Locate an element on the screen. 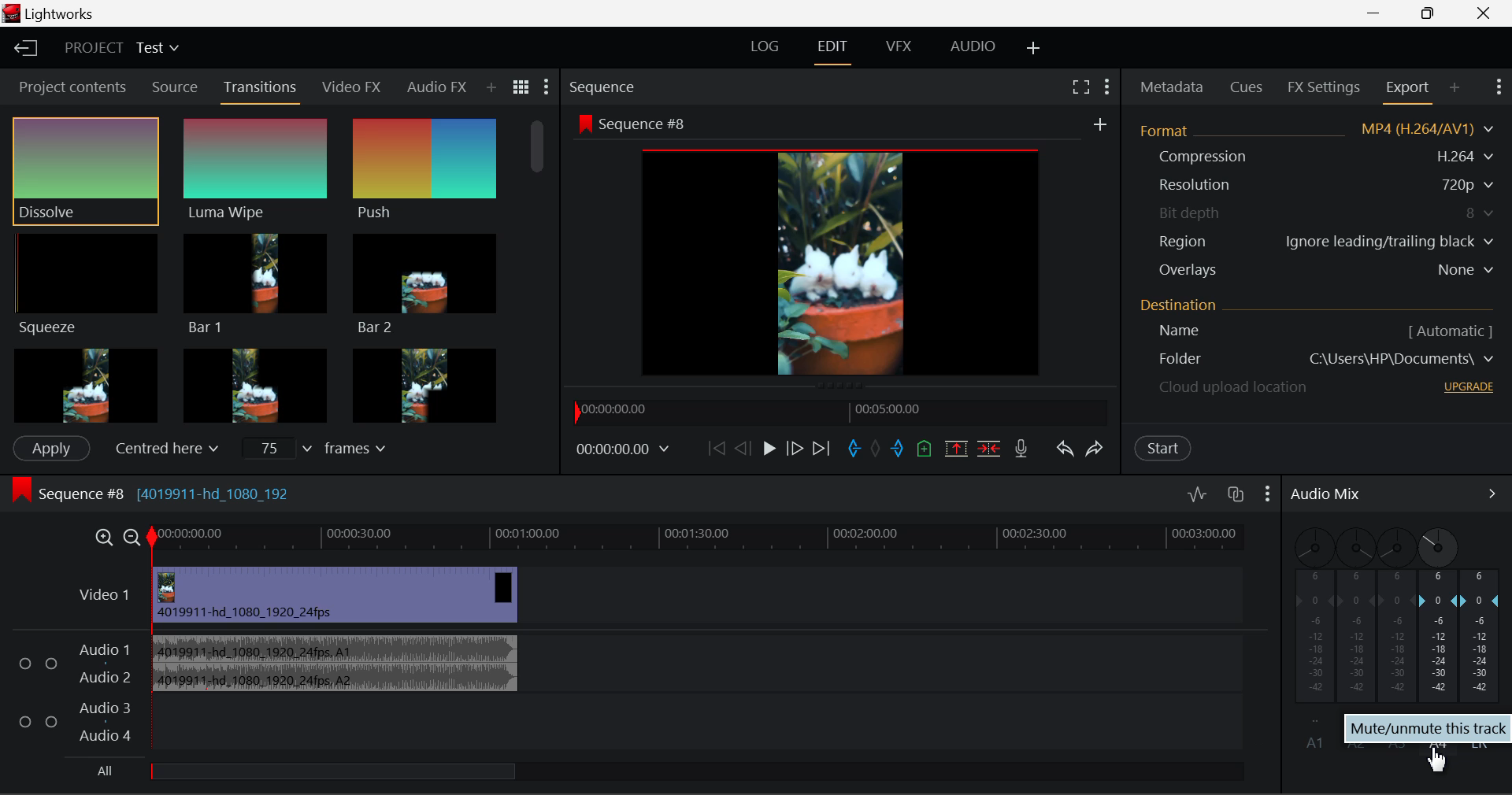 The height and width of the screenshot is (795, 1512). Box 1 is located at coordinates (85, 384).